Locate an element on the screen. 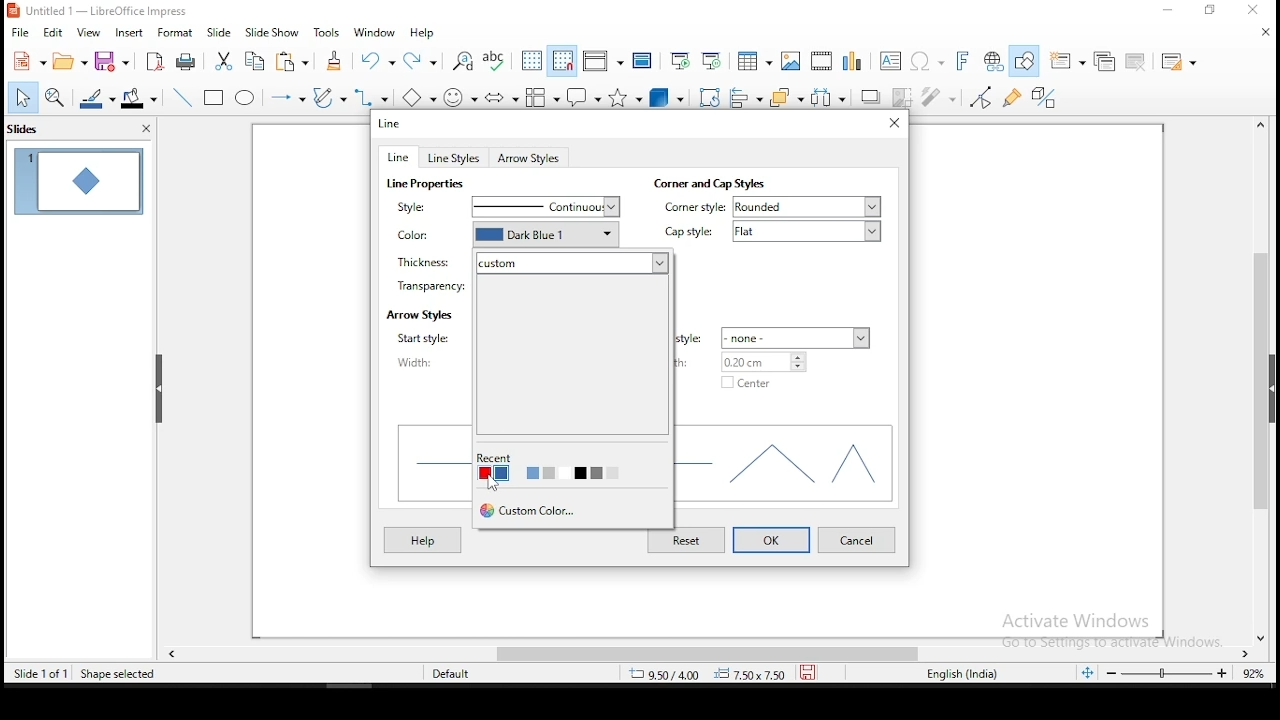 The width and height of the screenshot is (1280, 720). color is located at coordinates (426, 239).